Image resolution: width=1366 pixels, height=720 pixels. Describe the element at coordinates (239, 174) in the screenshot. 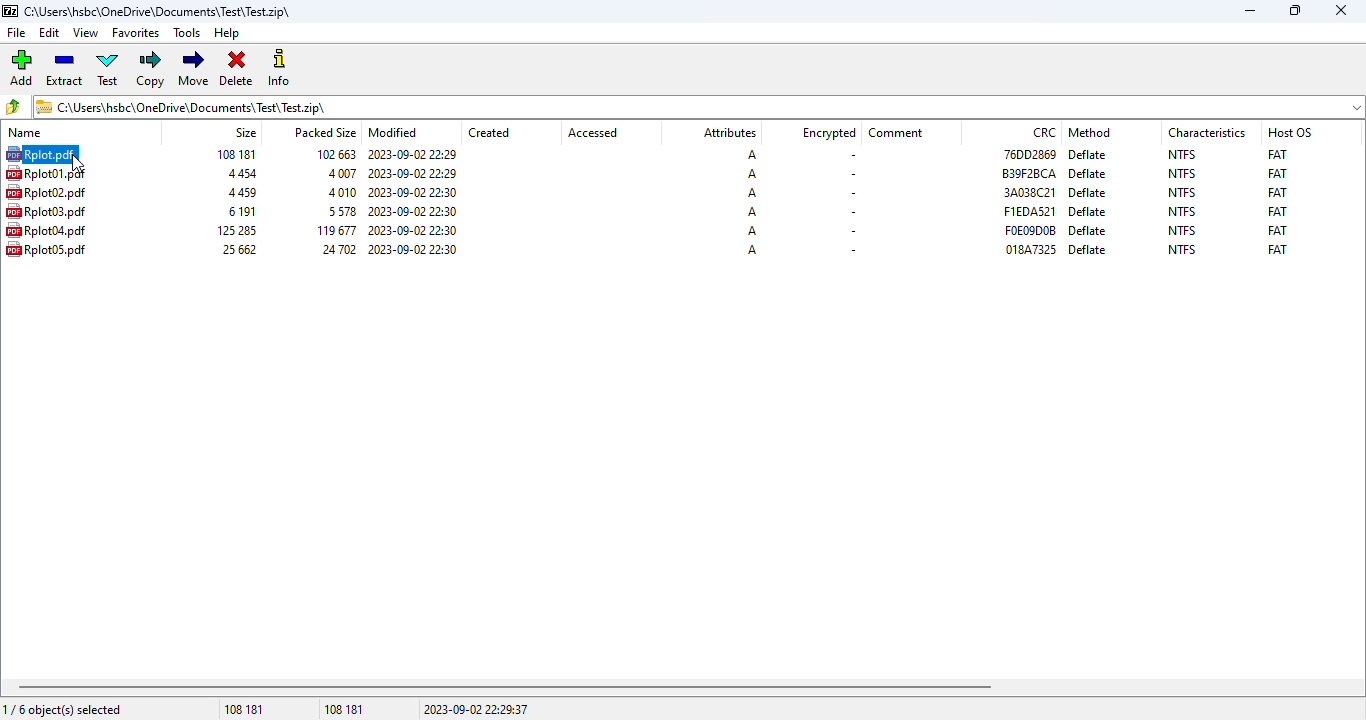

I see `size` at that location.